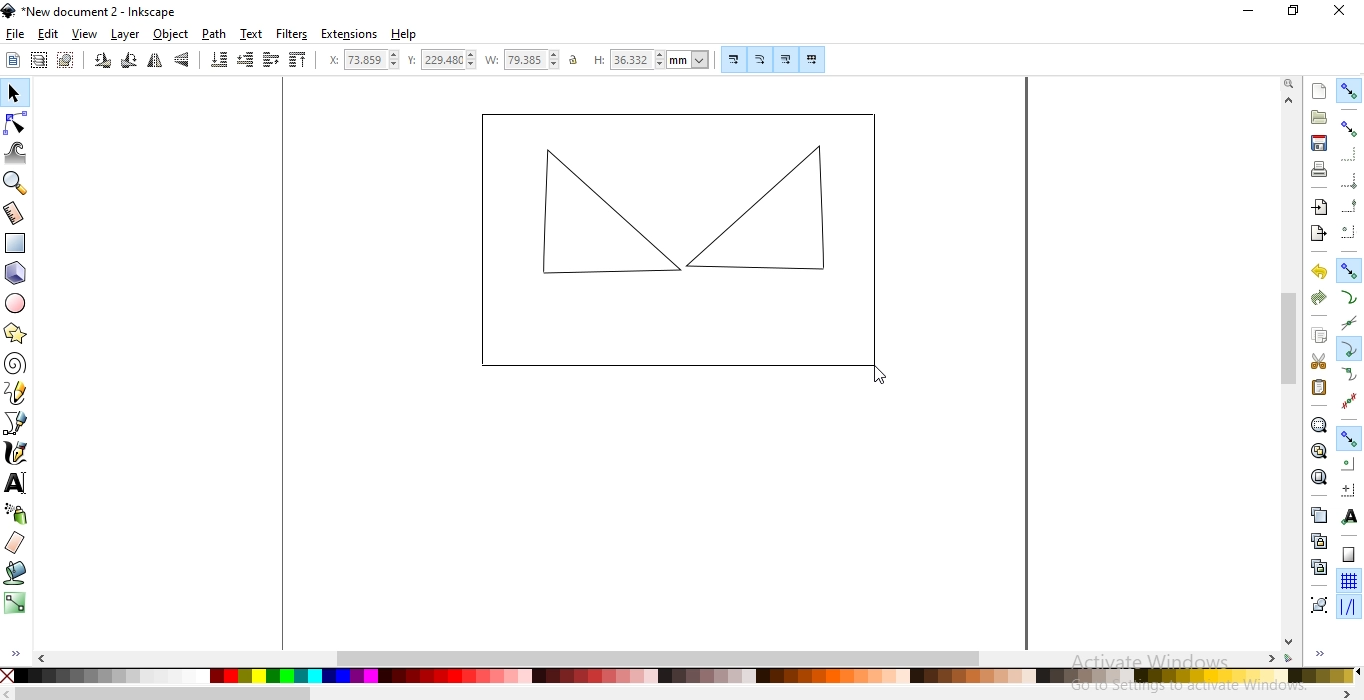 The image size is (1364, 700). What do you see at coordinates (218, 62) in the screenshot?
I see `lower selection to bottom` at bounding box center [218, 62].